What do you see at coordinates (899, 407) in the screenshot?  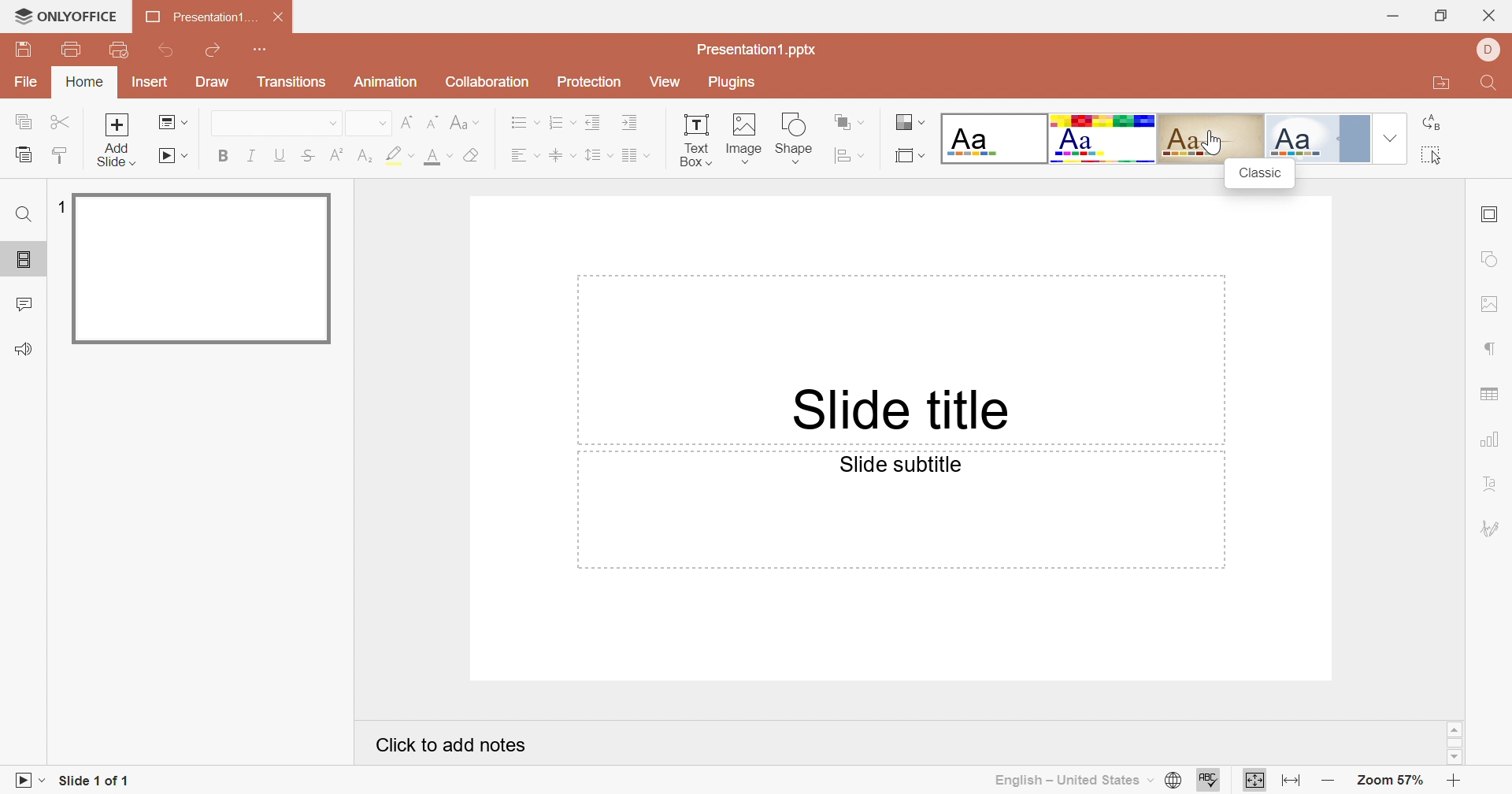 I see `Slide title` at bounding box center [899, 407].